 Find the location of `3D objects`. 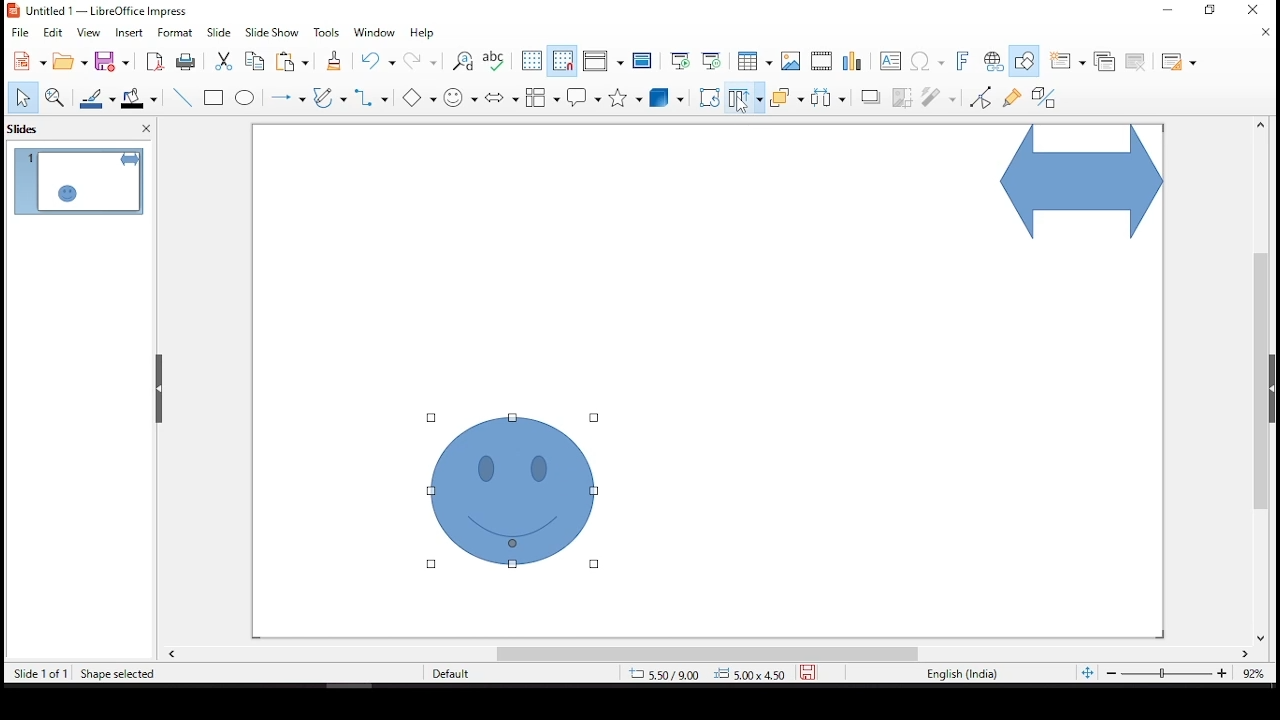

3D objects is located at coordinates (667, 99).